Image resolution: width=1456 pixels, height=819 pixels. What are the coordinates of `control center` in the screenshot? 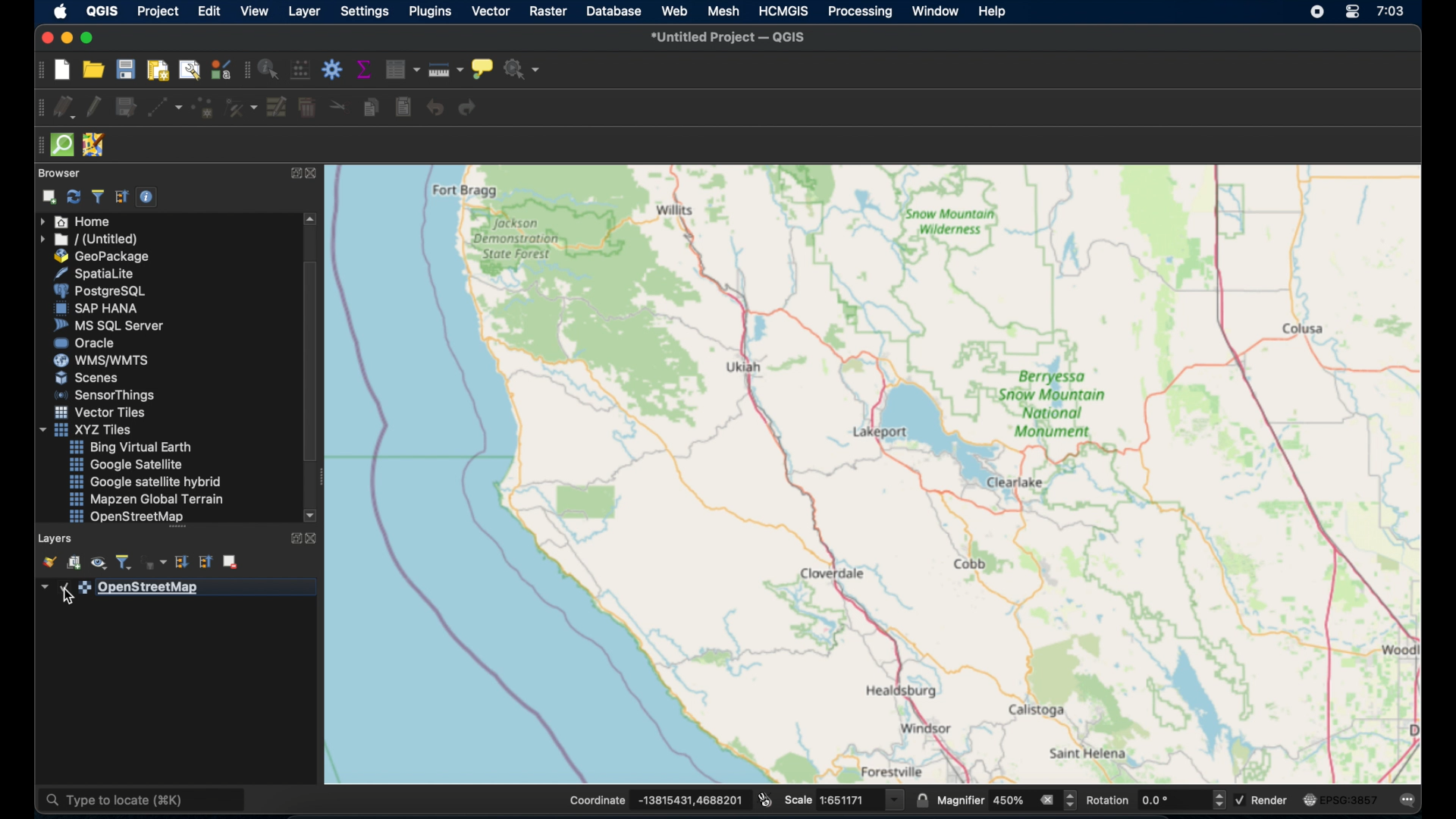 It's located at (1353, 11).